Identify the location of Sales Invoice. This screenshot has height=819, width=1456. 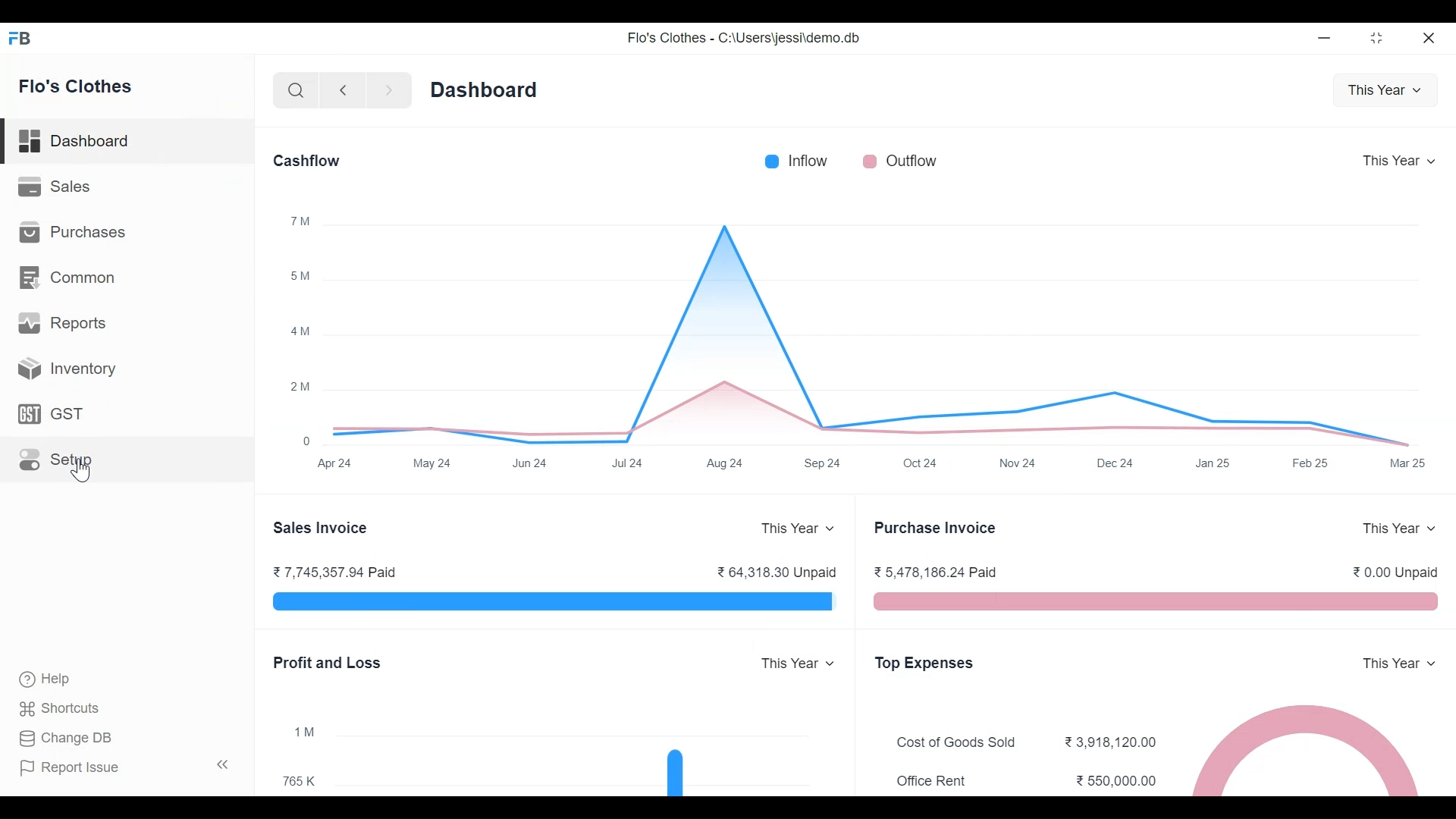
(322, 526).